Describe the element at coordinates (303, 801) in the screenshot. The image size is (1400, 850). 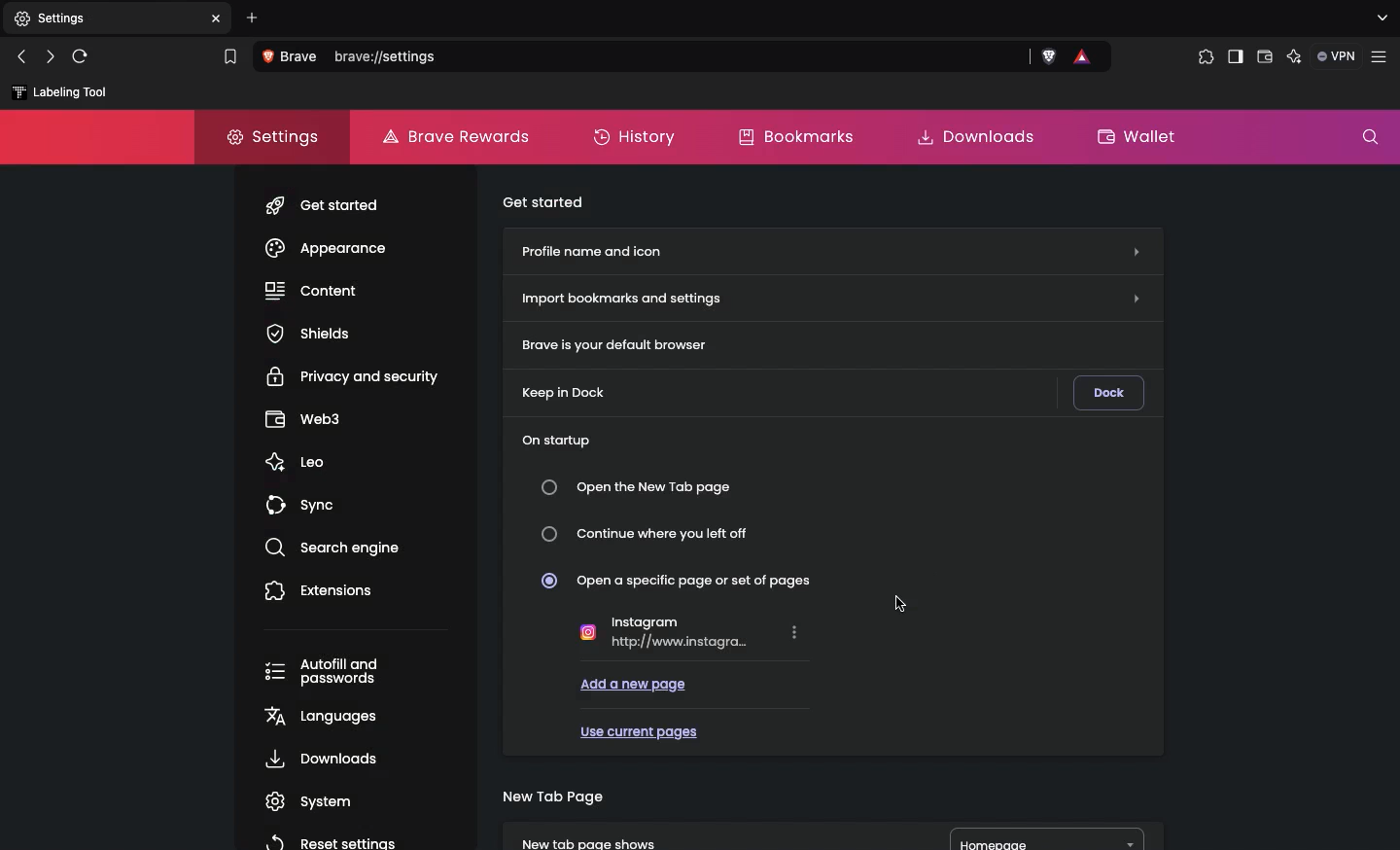
I see `System` at that location.